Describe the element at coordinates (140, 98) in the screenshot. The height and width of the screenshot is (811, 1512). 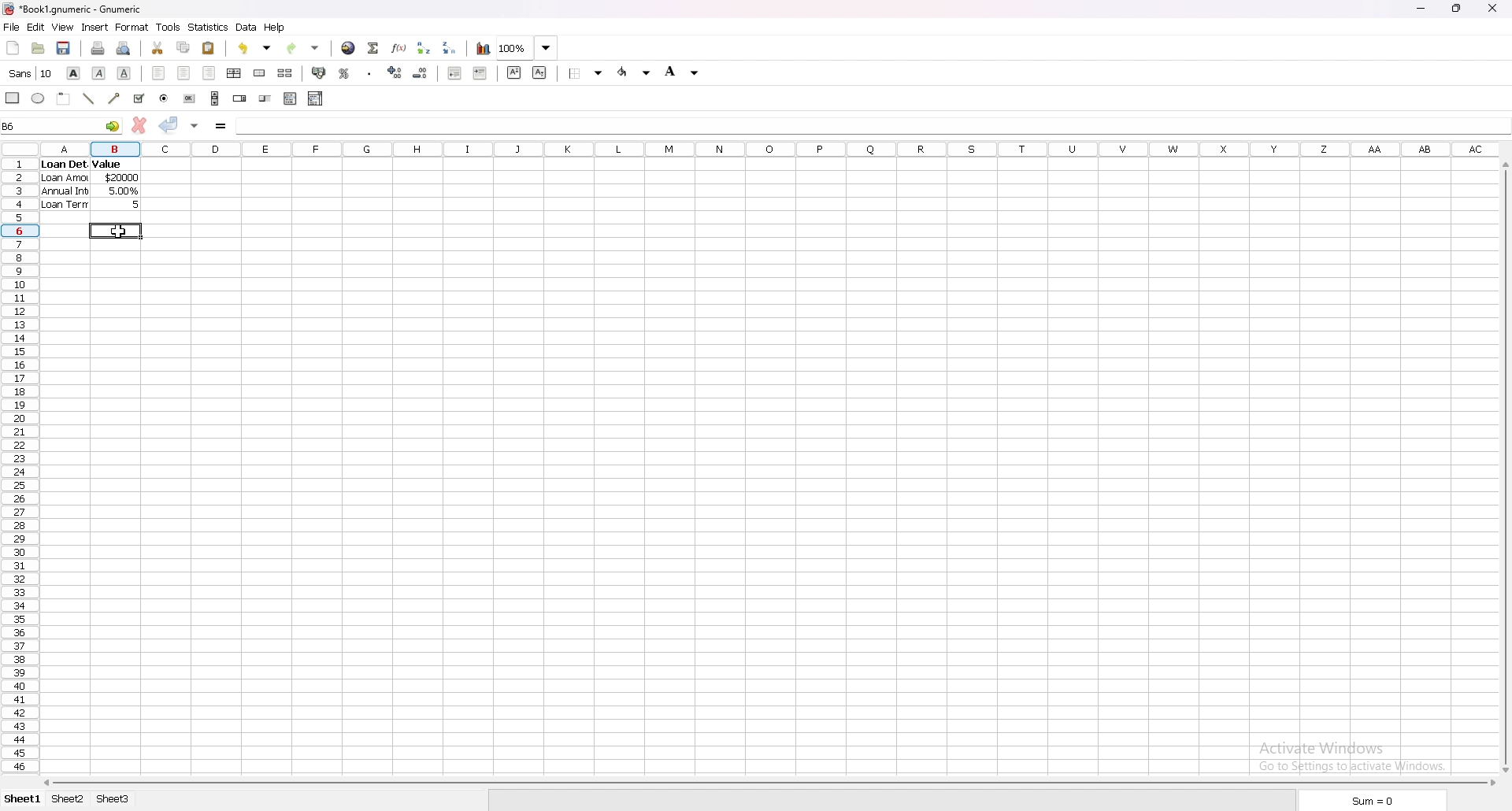
I see `tickbox` at that location.